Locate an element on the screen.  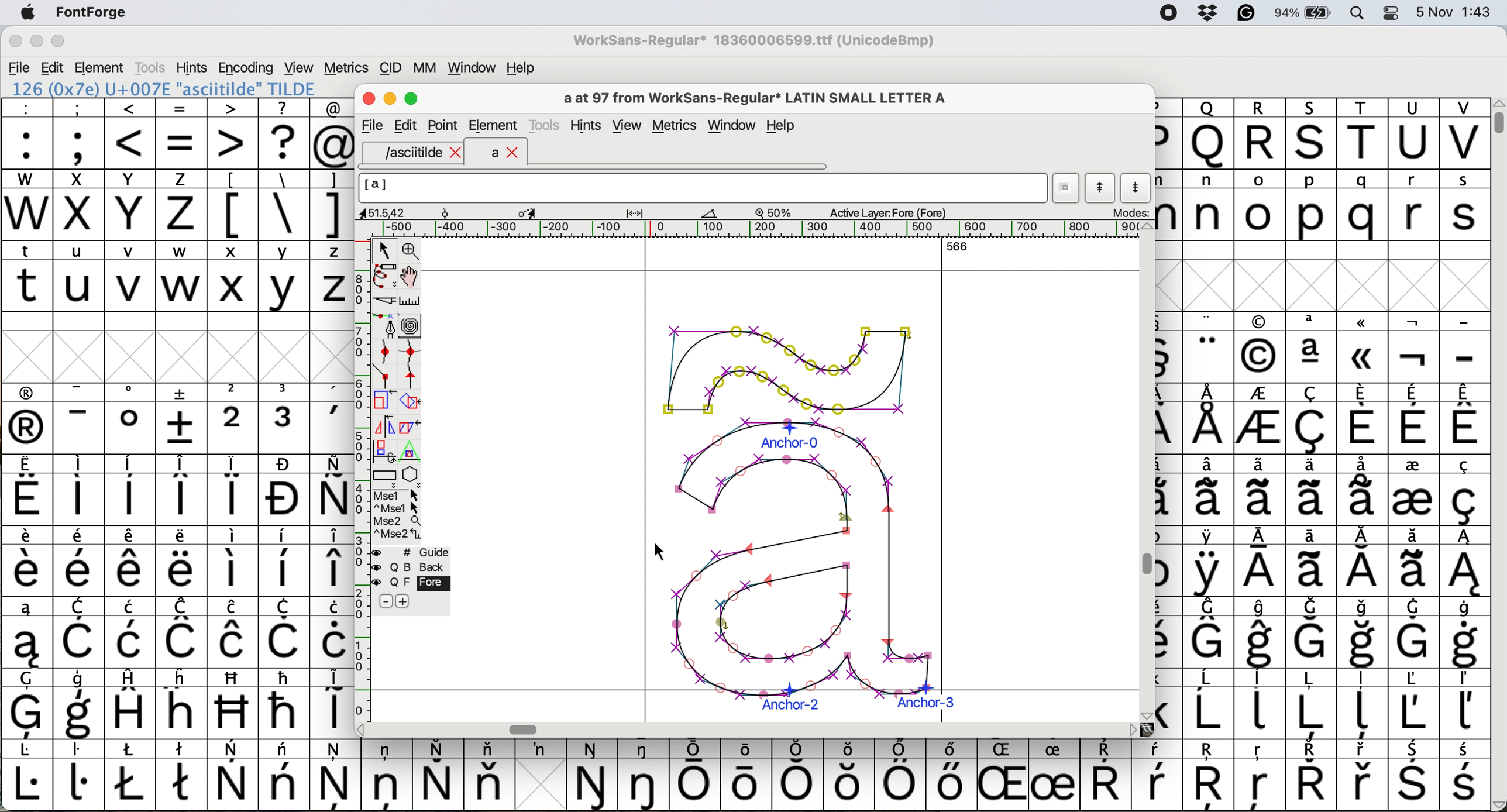
remove is located at coordinates (386, 602).